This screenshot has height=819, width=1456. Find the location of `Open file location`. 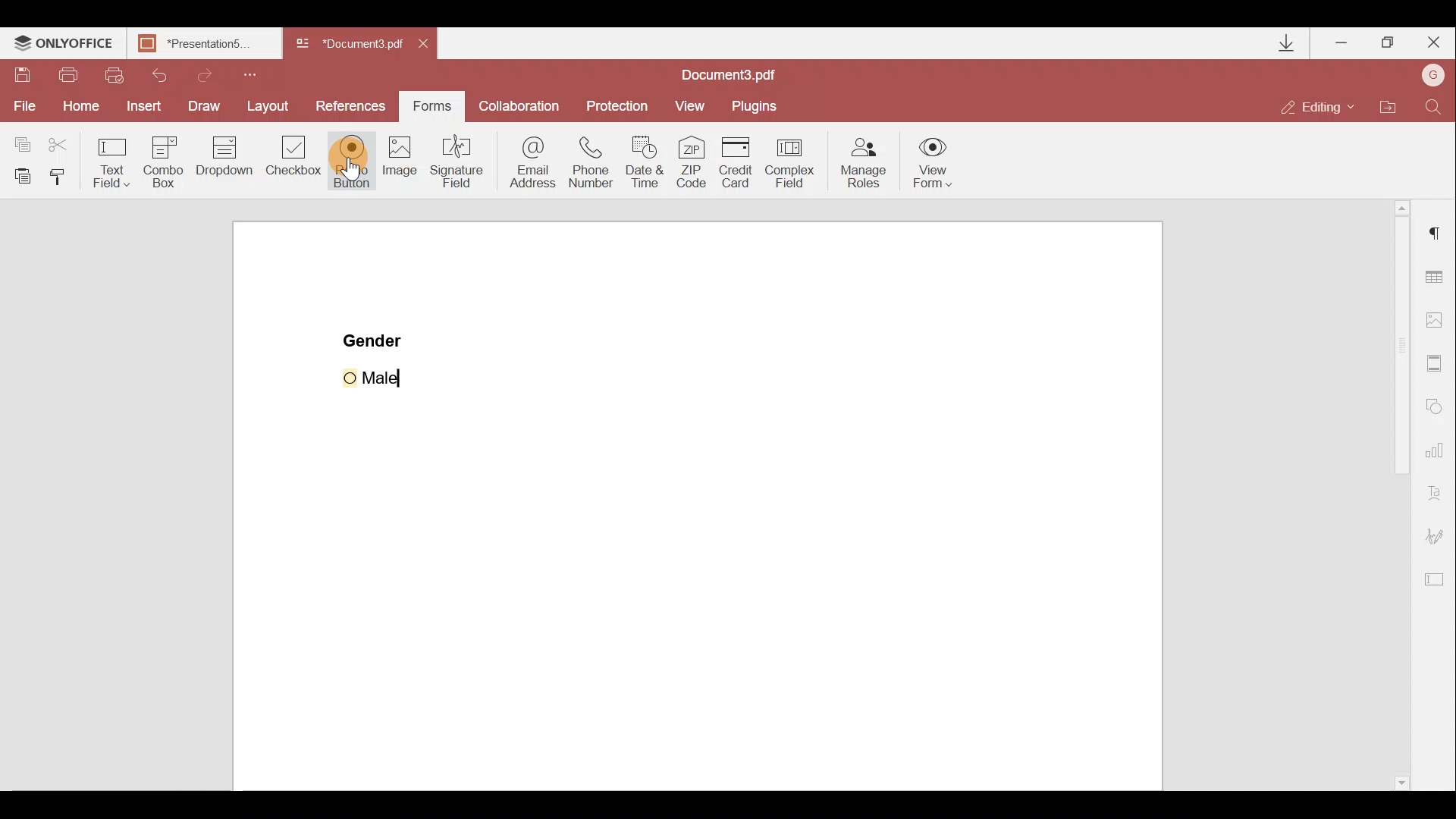

Open file location is located at coordinates (1395, 105).